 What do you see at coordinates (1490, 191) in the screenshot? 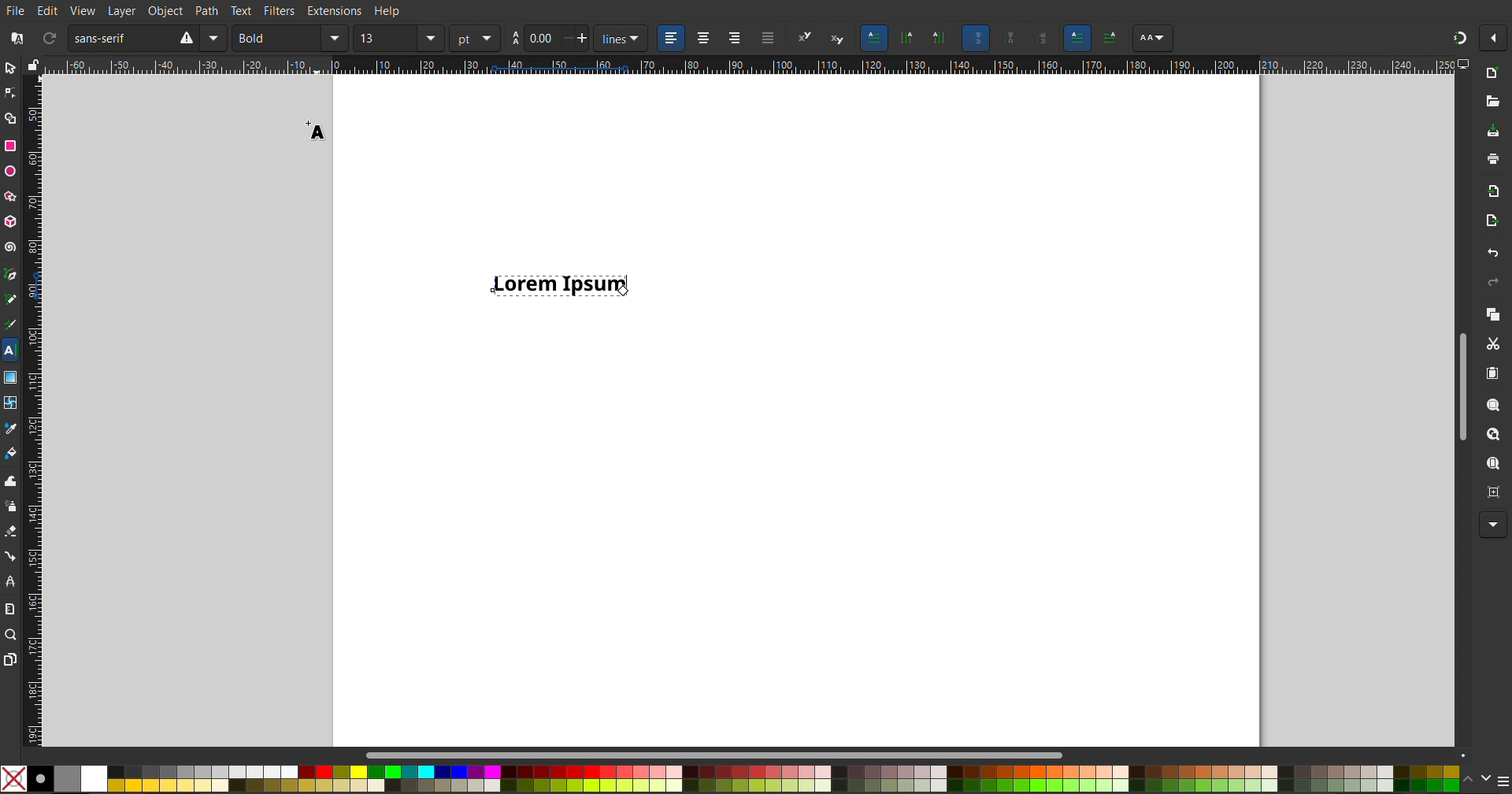
I see `Import a Bitmap or SVG` at bounding box center [1490, 191].